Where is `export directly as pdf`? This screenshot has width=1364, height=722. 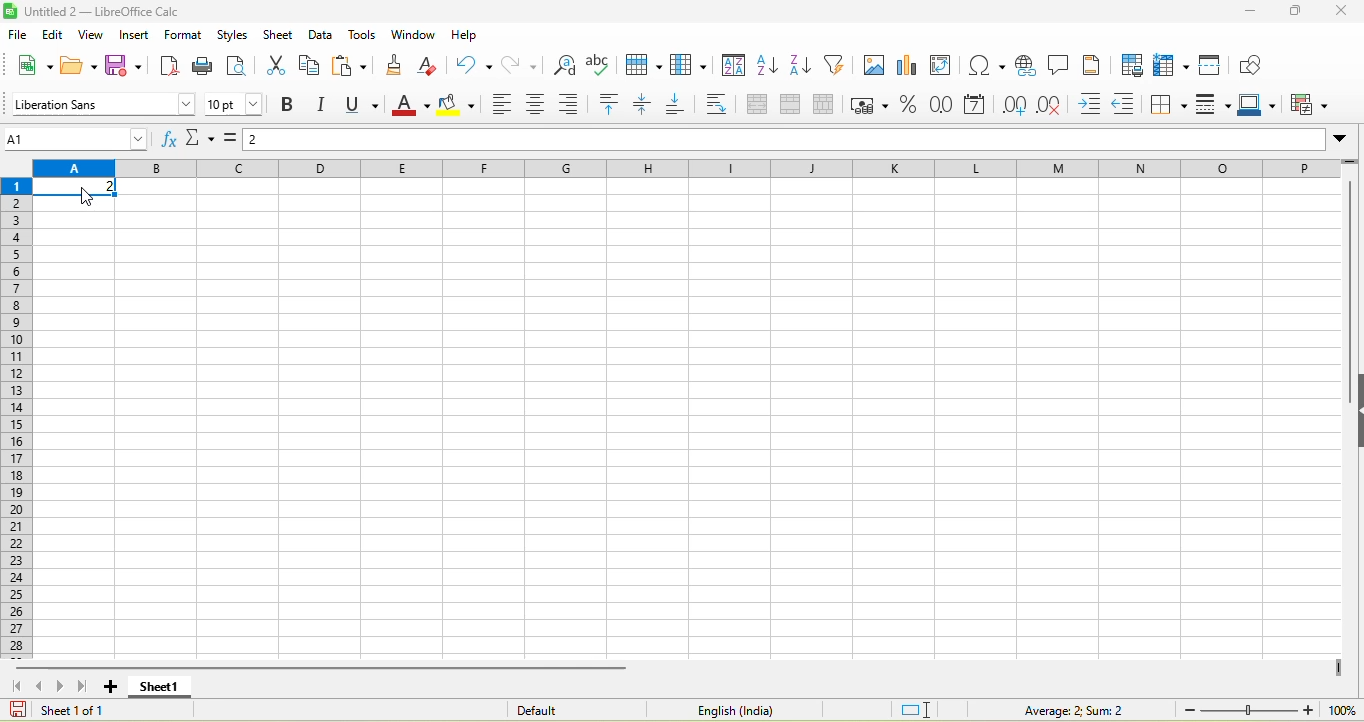 export directly as pdf is located at coordinates (174, 67).